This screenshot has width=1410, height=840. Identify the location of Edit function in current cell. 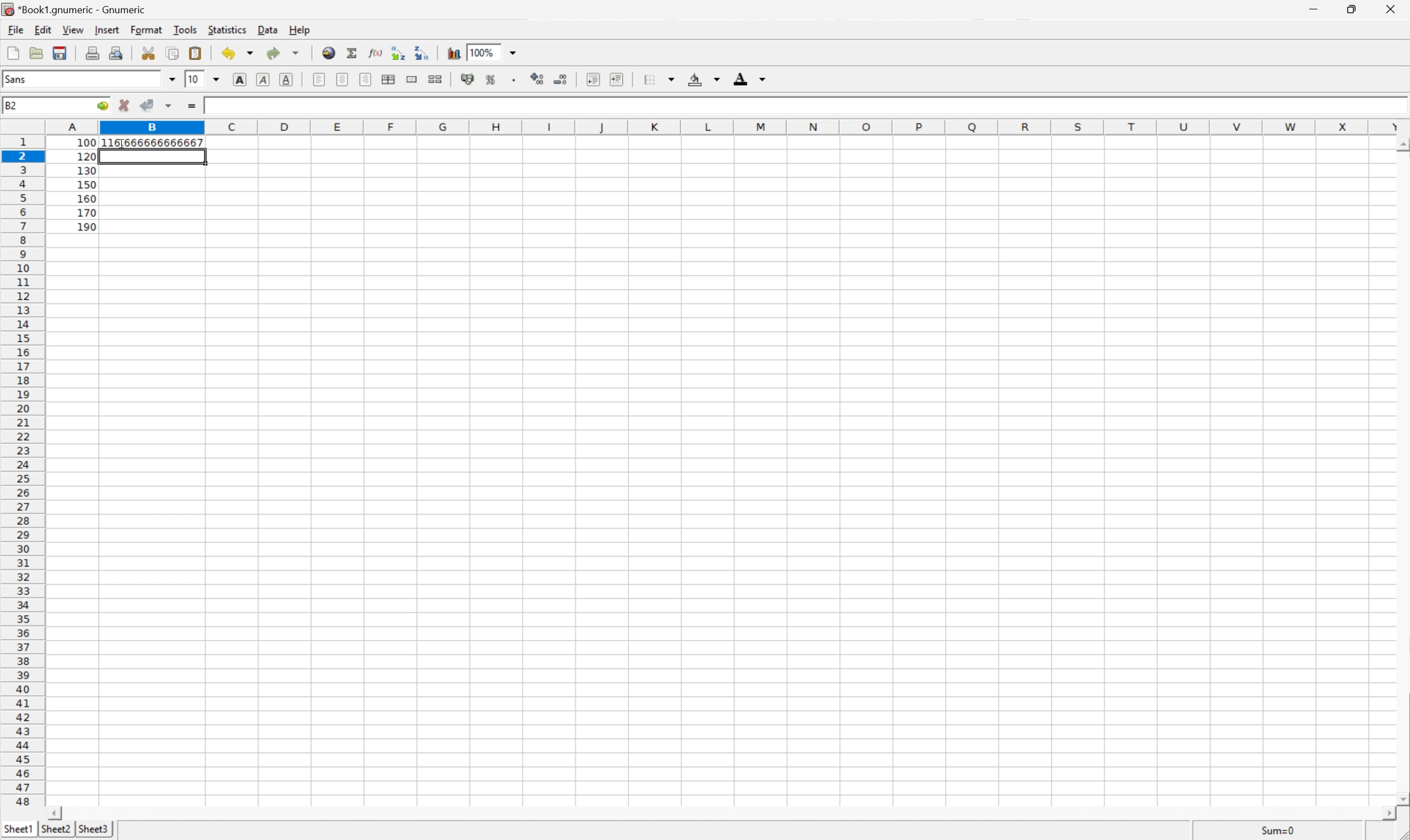
(375, 53).